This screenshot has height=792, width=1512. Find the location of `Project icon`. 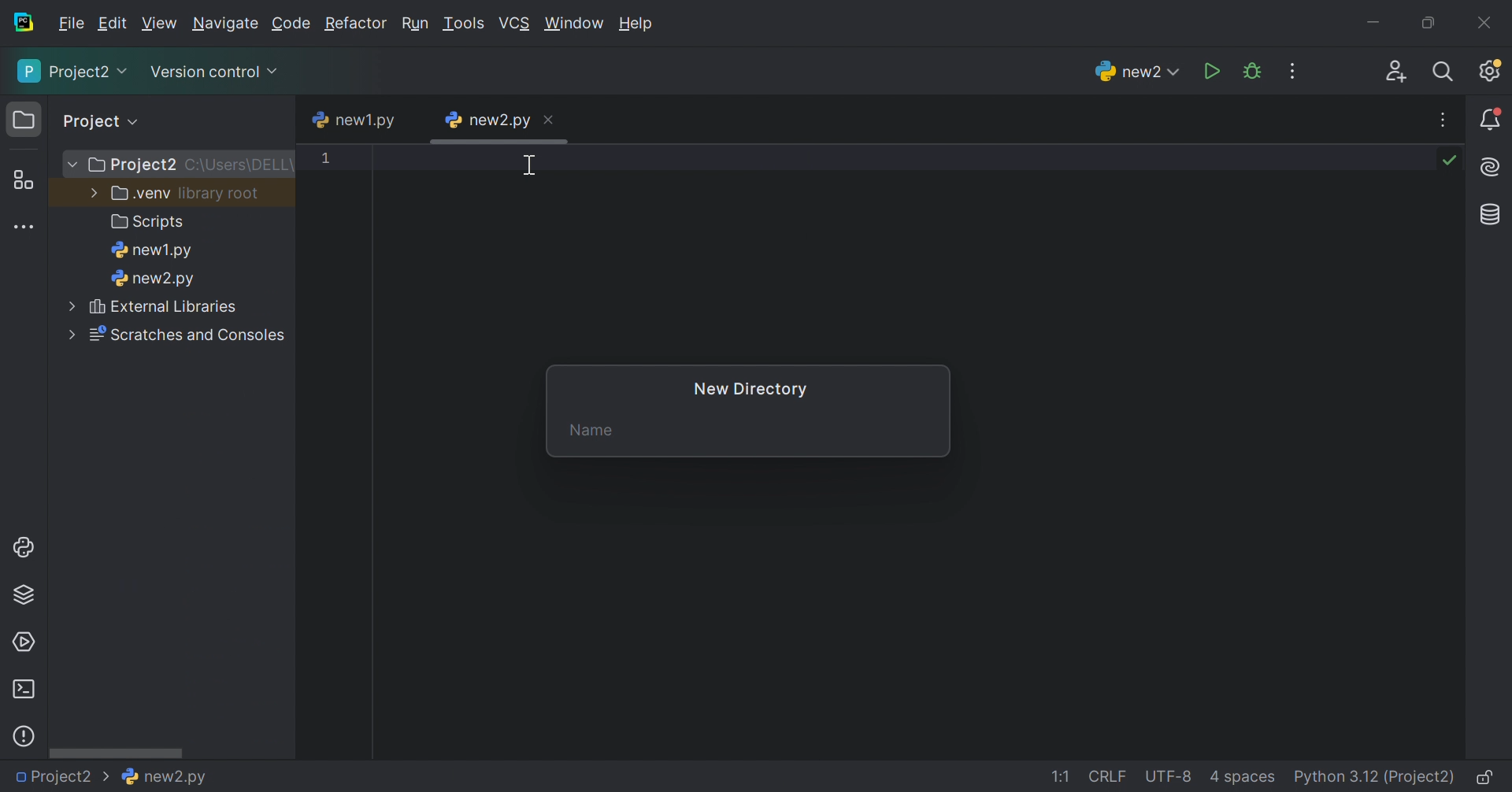

Project icon is located at coordinates (24, 117).